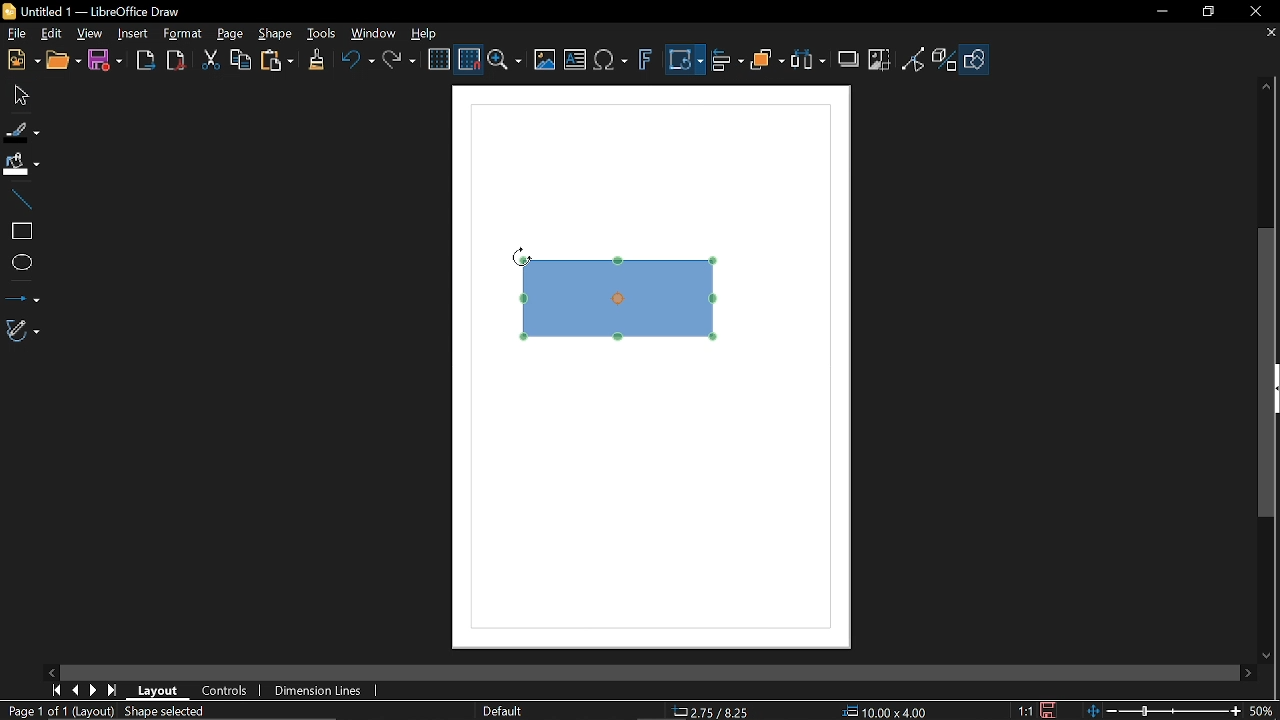  Describe the element at coordinates (182, 711) in the screenshot. I see `Shape selected` at that location.